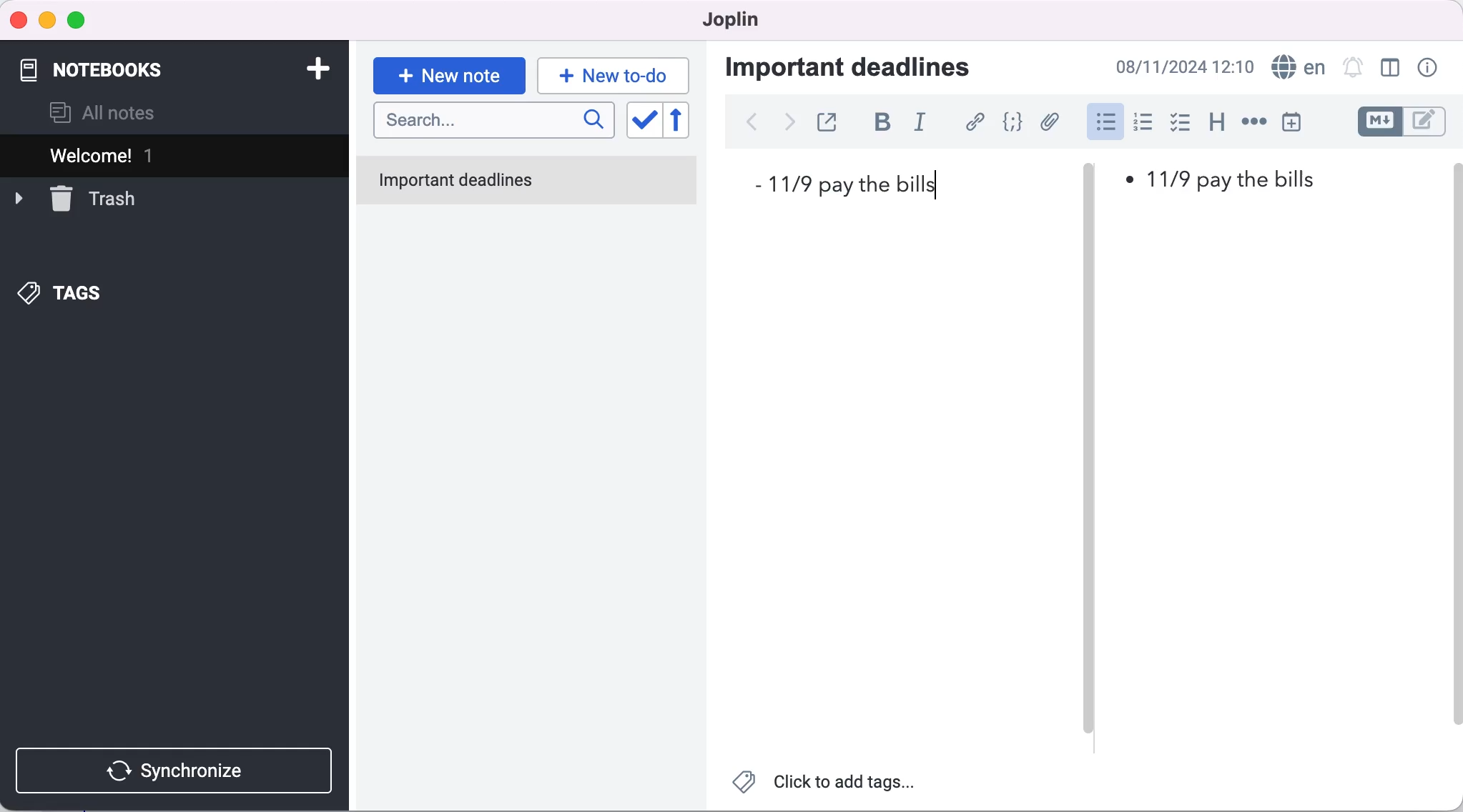  Describe the element at coordinates (970, 124) in the screenshot. I see `hyperlink` at that location.